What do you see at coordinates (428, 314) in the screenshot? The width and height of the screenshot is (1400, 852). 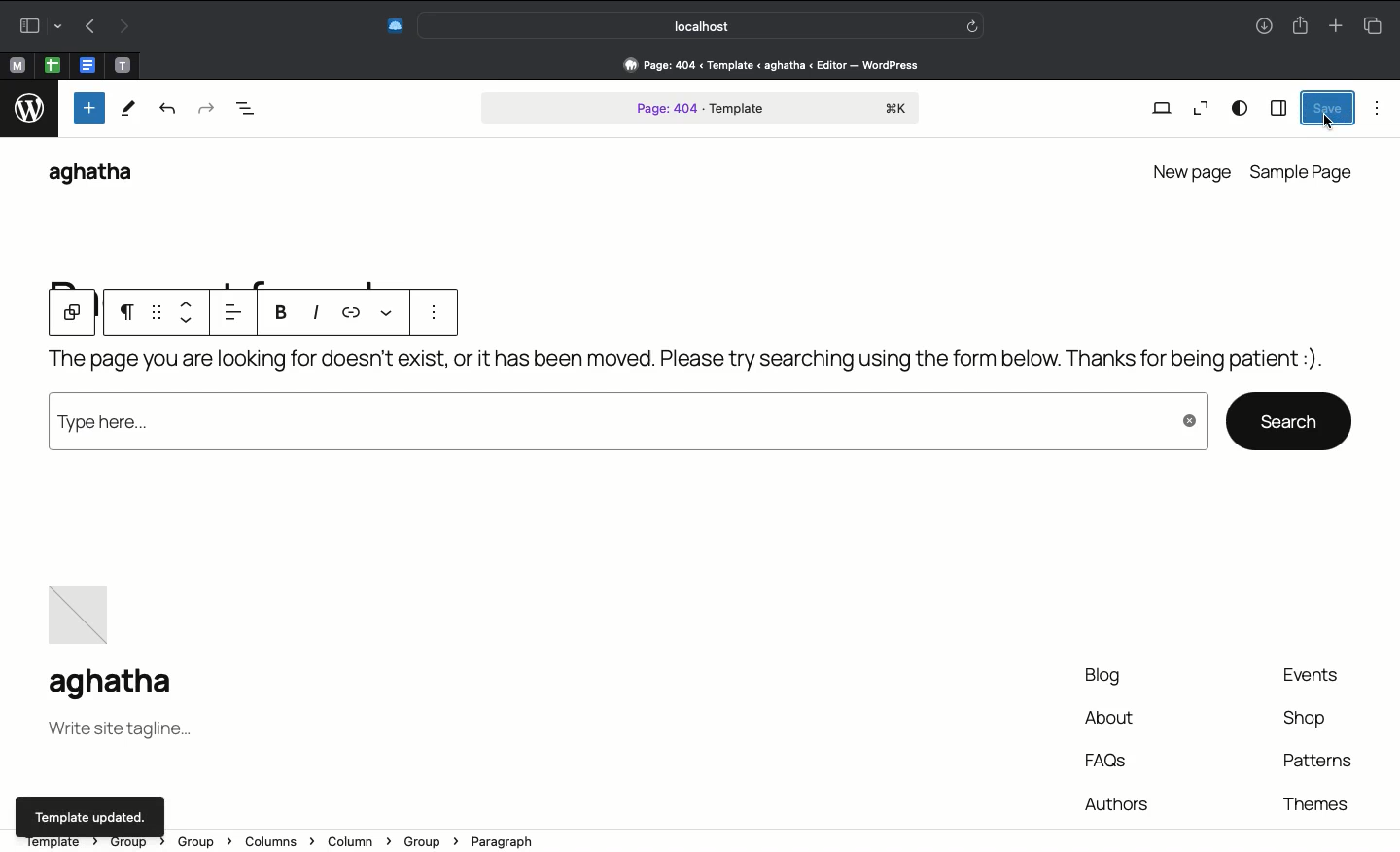 I see `options` at bounding box center [428, 314].